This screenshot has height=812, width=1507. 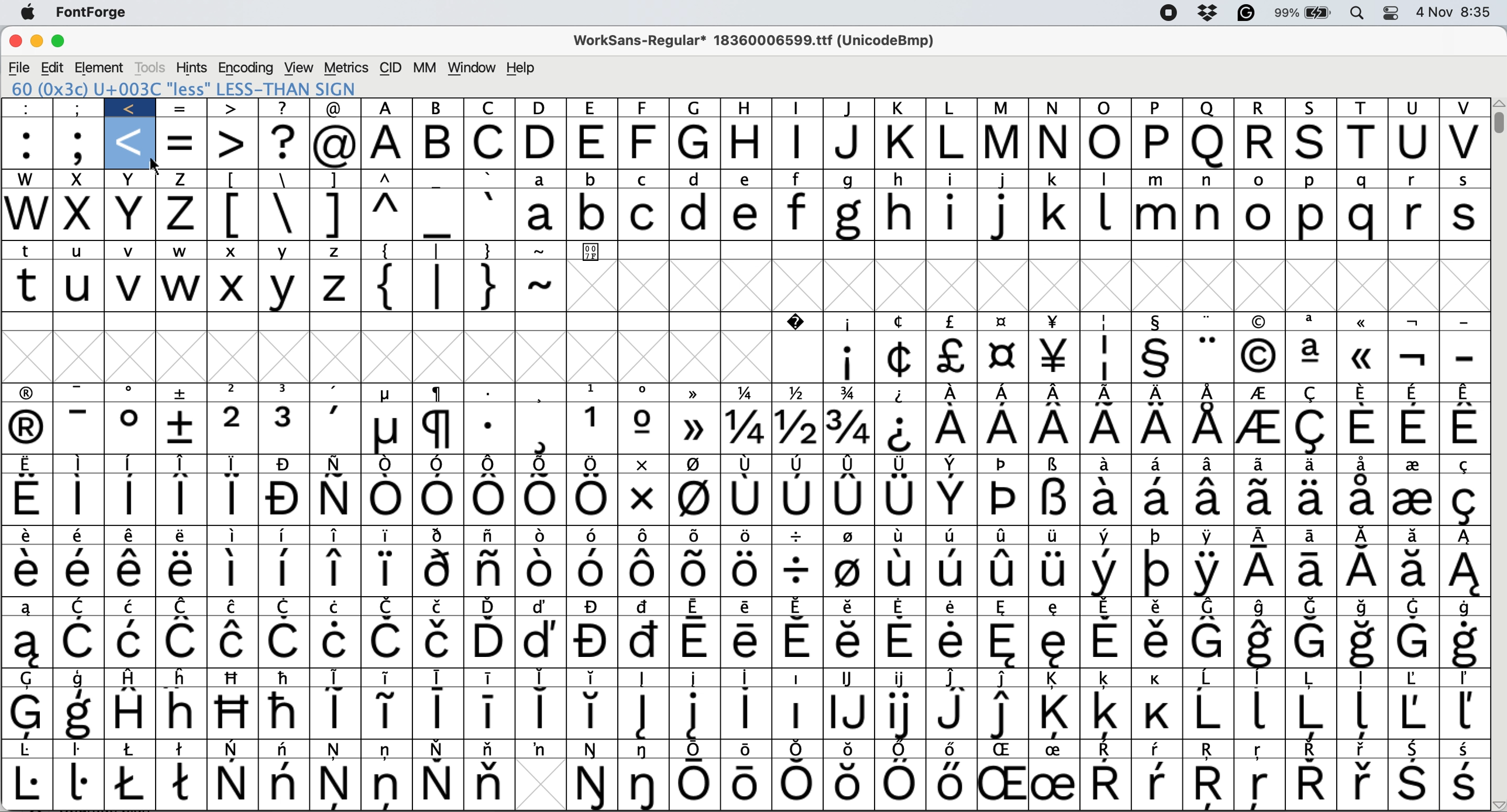 I want to click on Symbol, so click(x=1157, y=572).